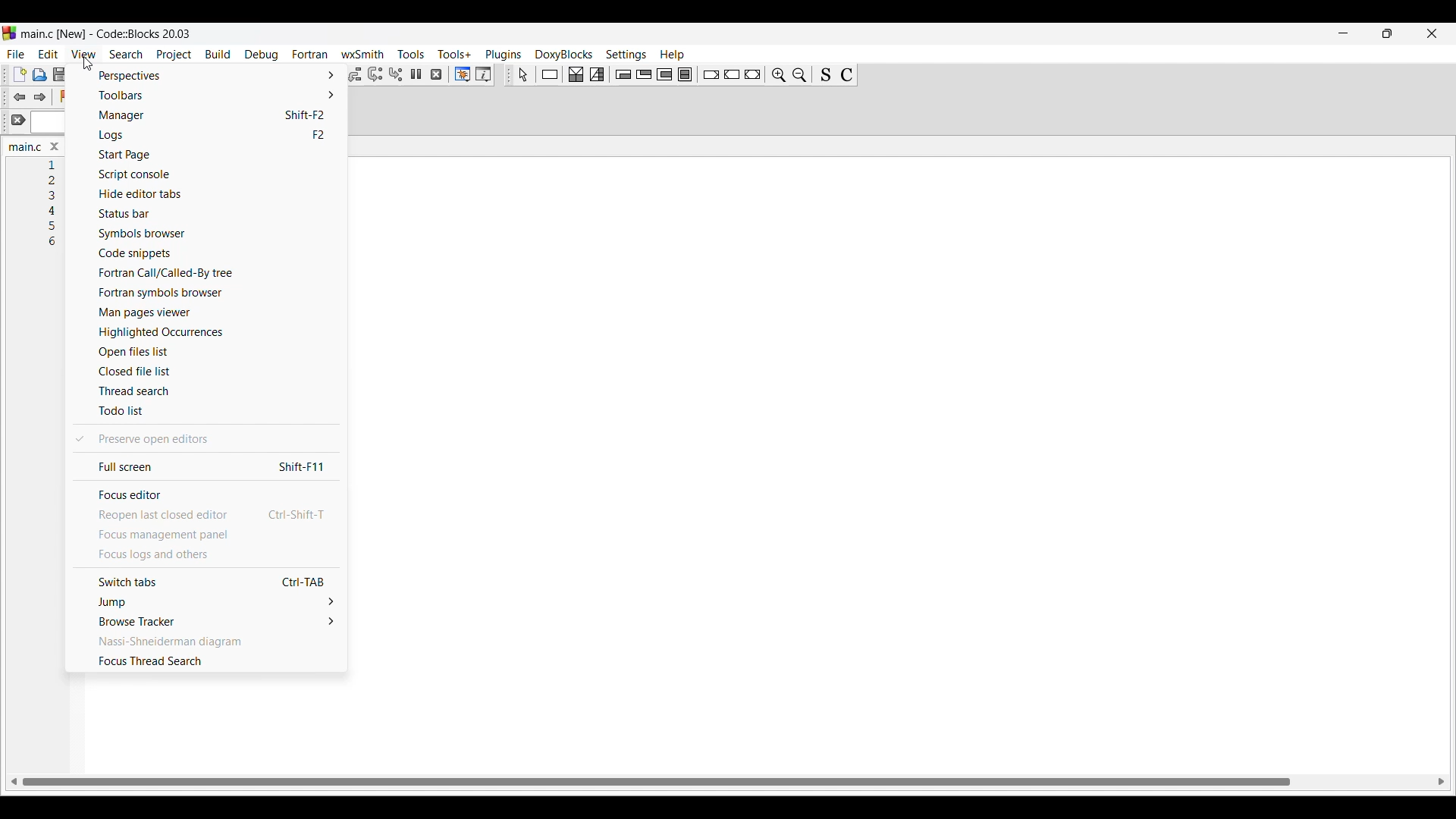  I want to click on Stop debugger, so click(436, 74).